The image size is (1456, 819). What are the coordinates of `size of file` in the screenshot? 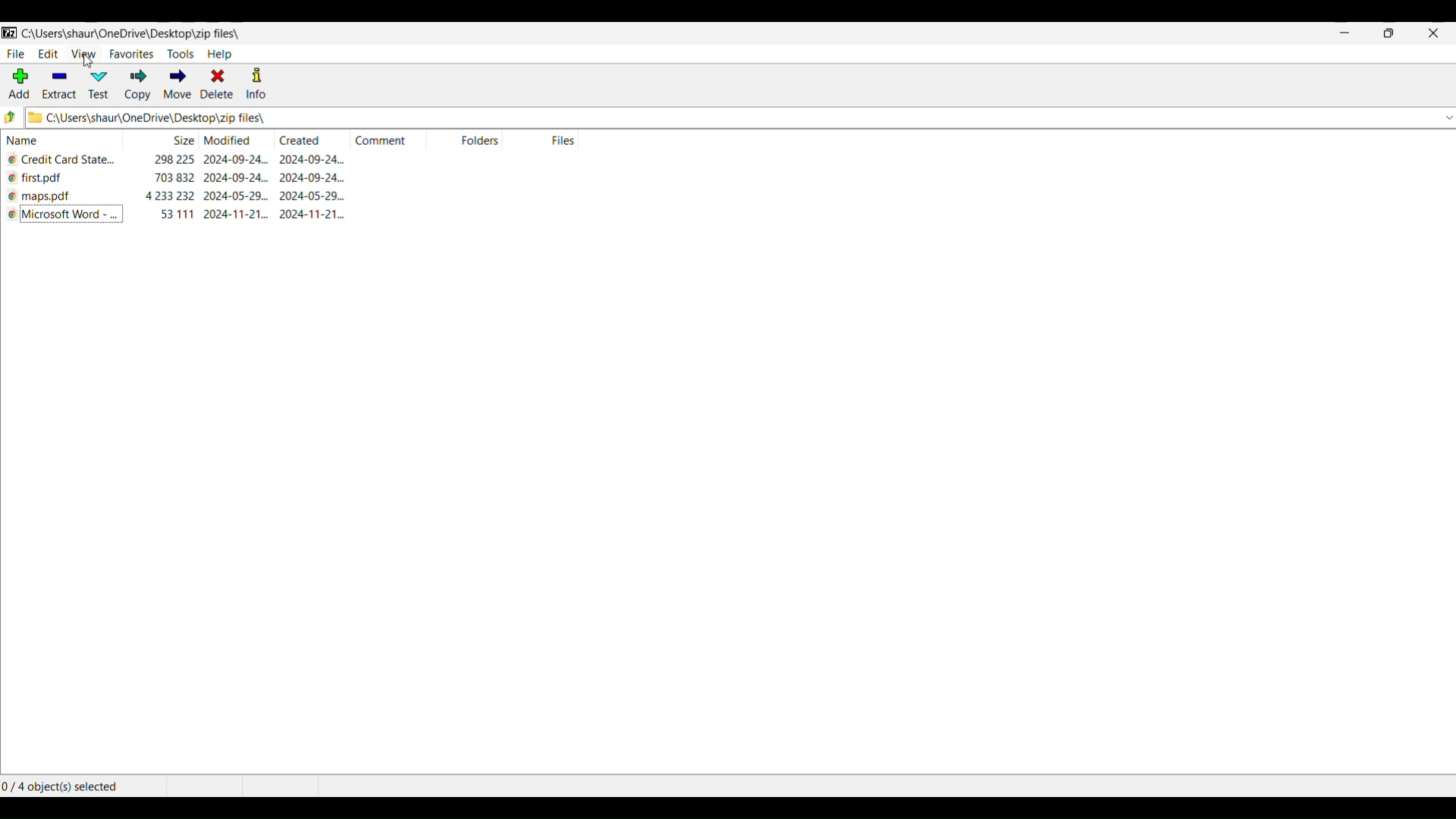 It's located at (177, 162).